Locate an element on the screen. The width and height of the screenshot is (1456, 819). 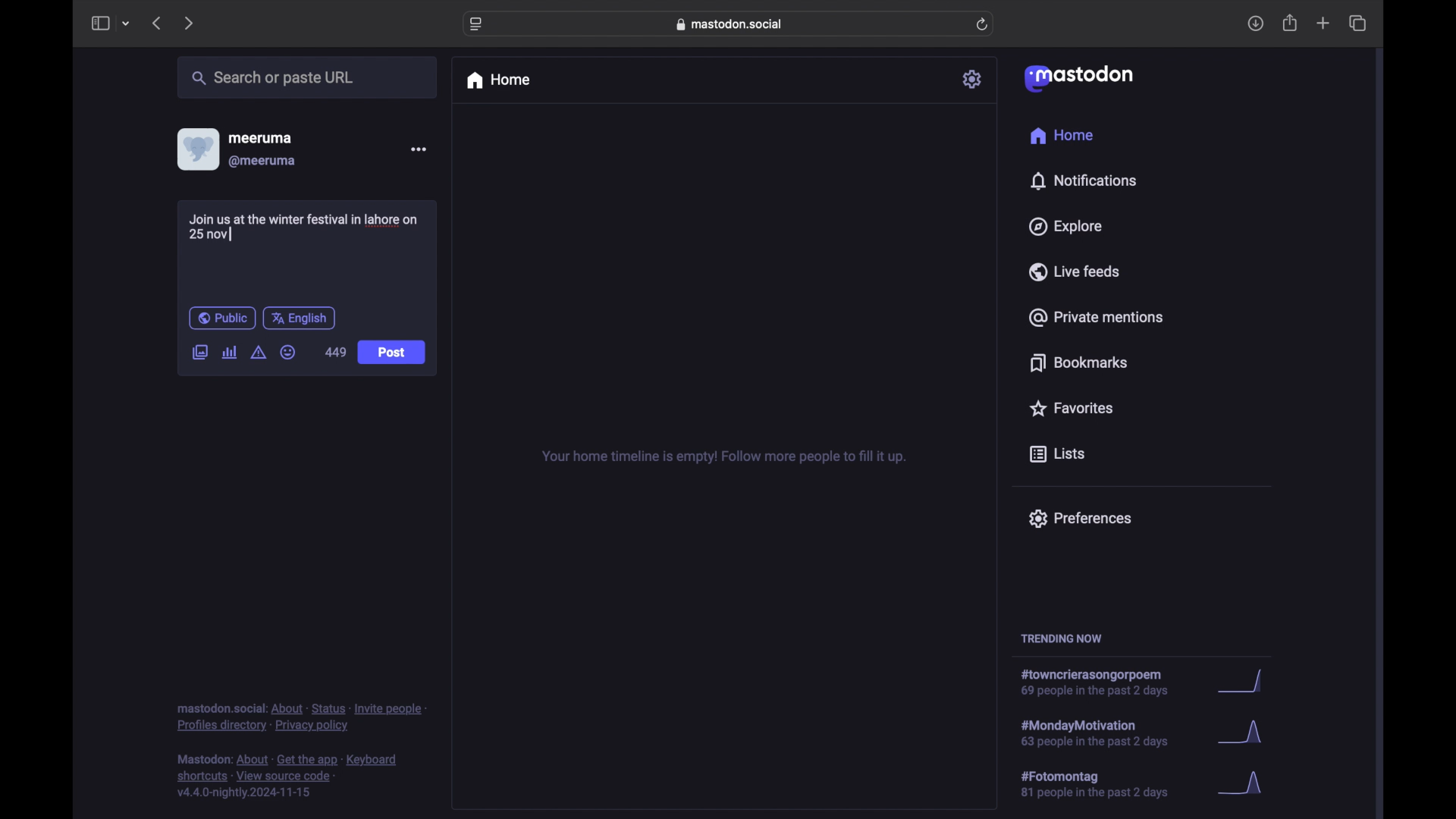
graph is located at coordinates (1244, 736).